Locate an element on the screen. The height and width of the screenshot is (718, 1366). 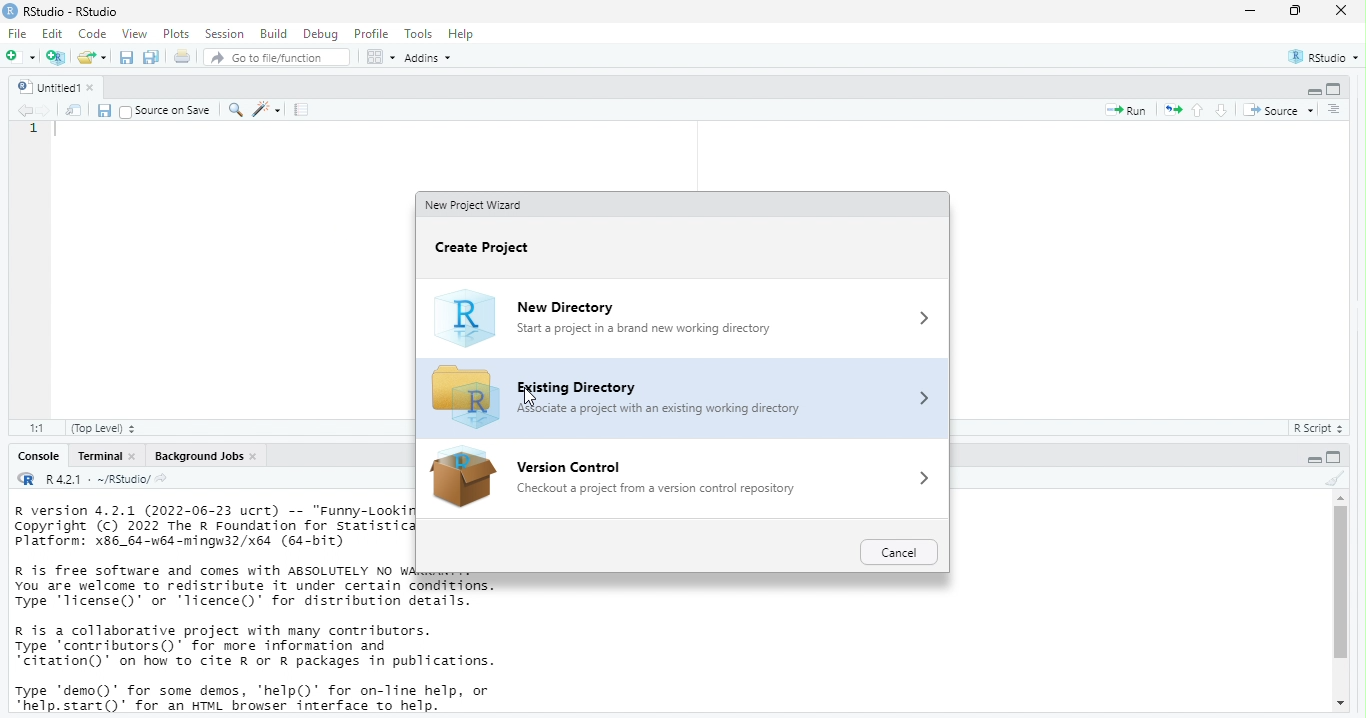
close is located at coordinates (1341, 11).